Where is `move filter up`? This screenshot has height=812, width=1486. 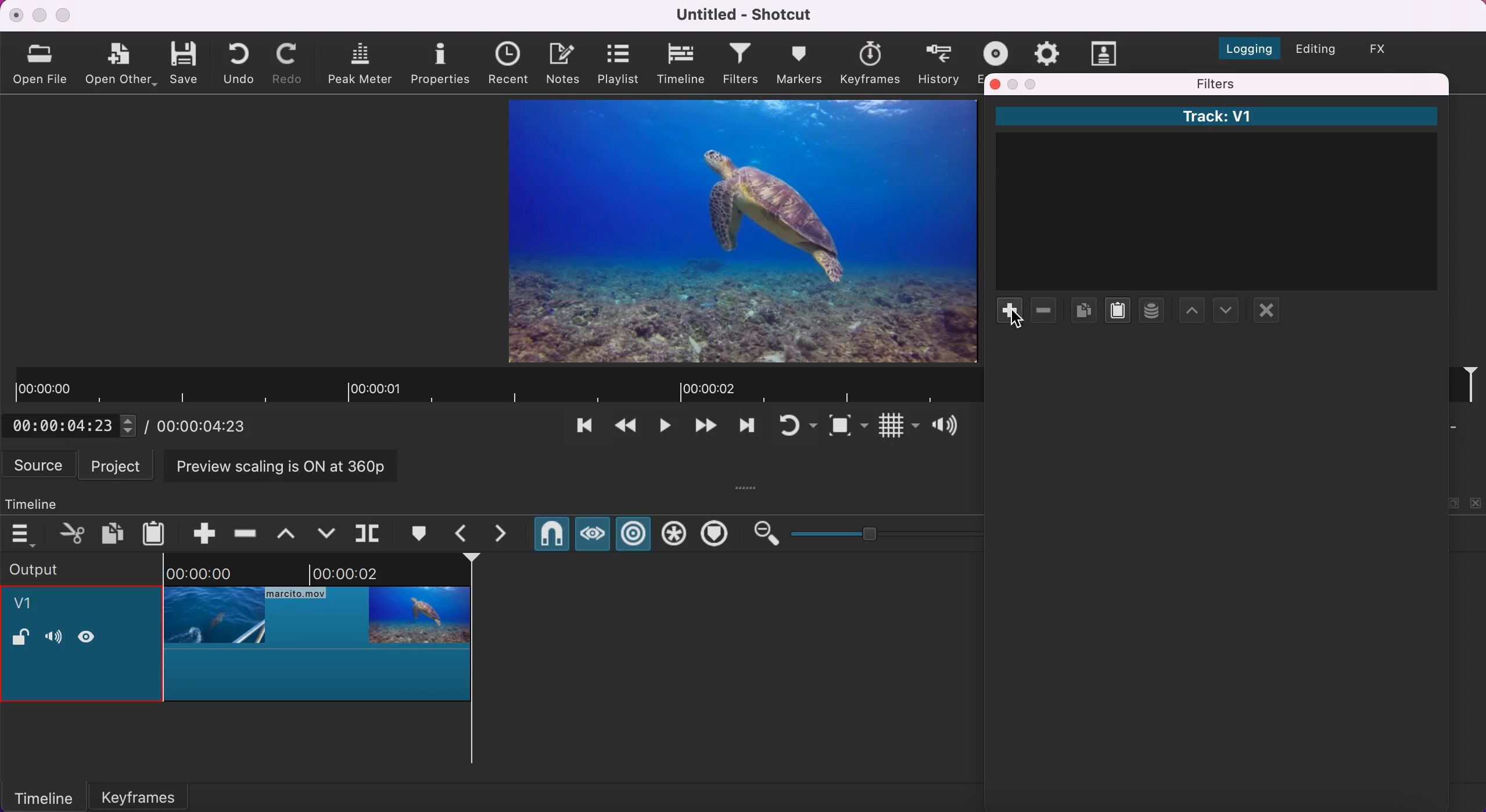 move filter up is located at coordinates (1227, 310).